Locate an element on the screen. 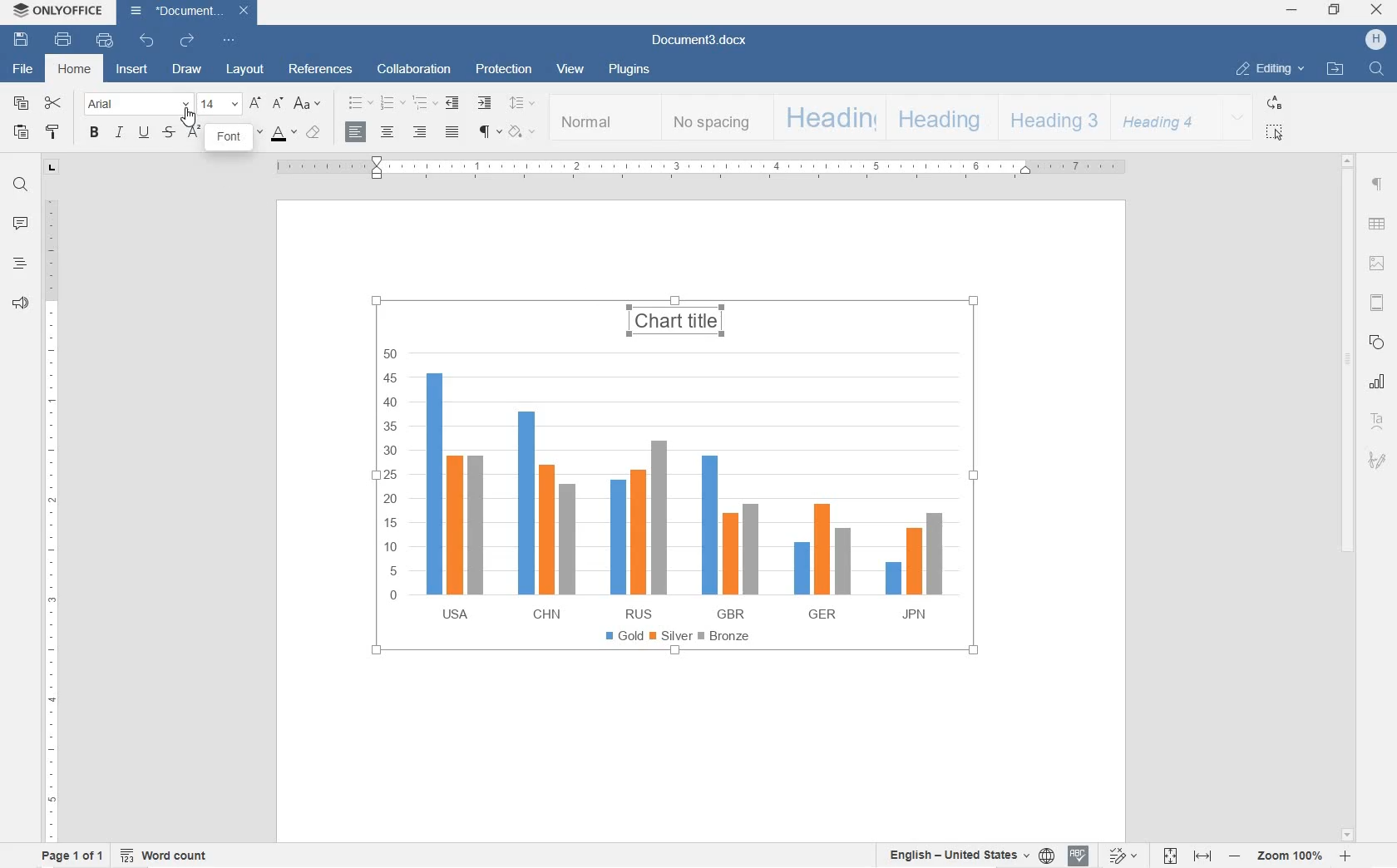  DECREMENT FONT SIZE is located at coordinates (278, 103).